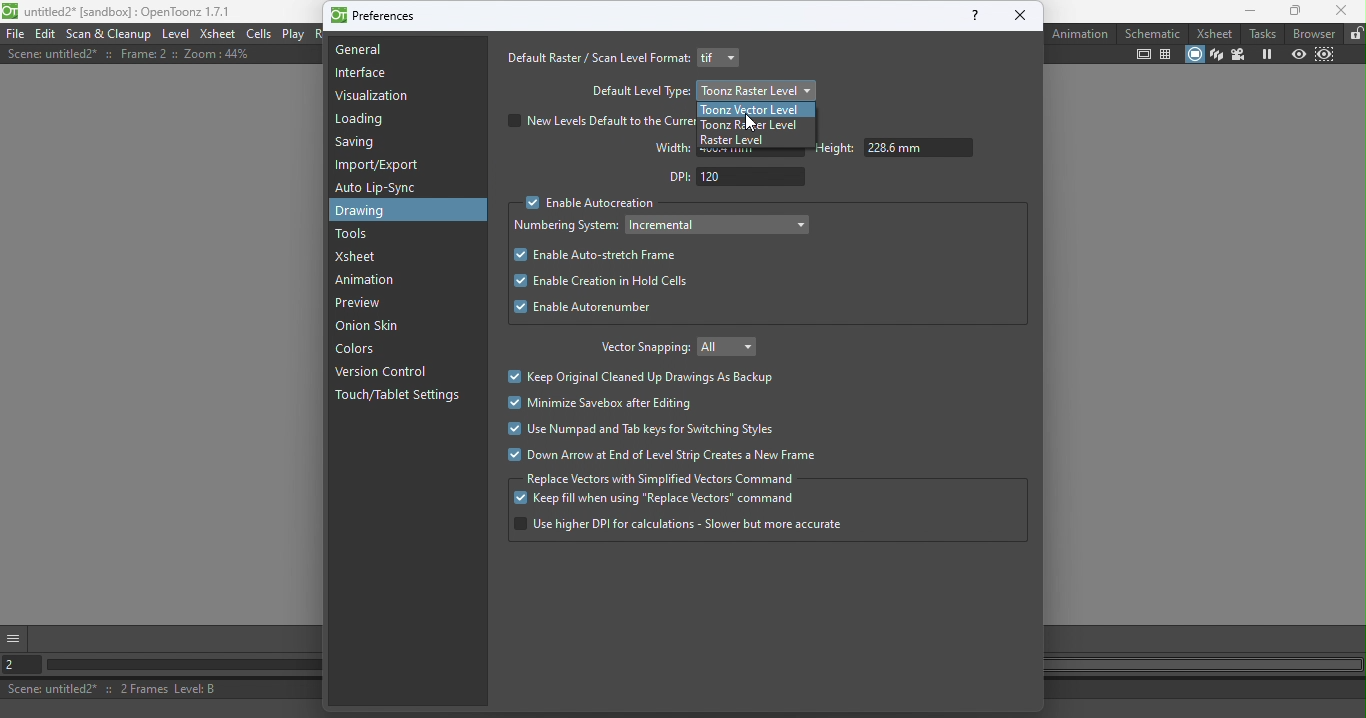 This screenshot has width=1366, height=718. What do you see at coordinates (1296, 56) in the screenshot?
I see `Preview` at bounding box center [1296, 56].